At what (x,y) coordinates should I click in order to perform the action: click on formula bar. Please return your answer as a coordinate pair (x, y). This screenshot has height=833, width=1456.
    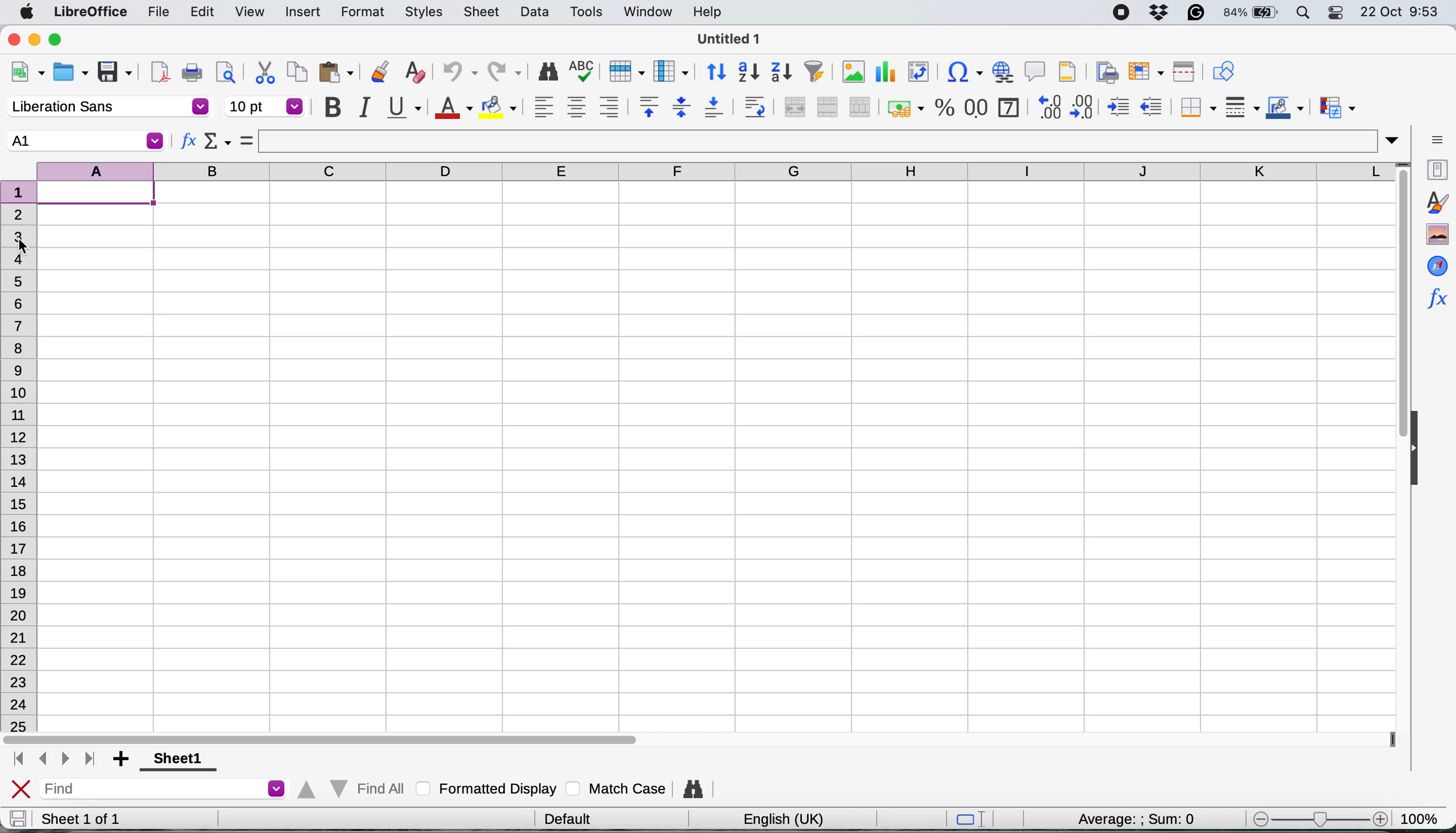
    Looking at the image, I should click on (830, 141).